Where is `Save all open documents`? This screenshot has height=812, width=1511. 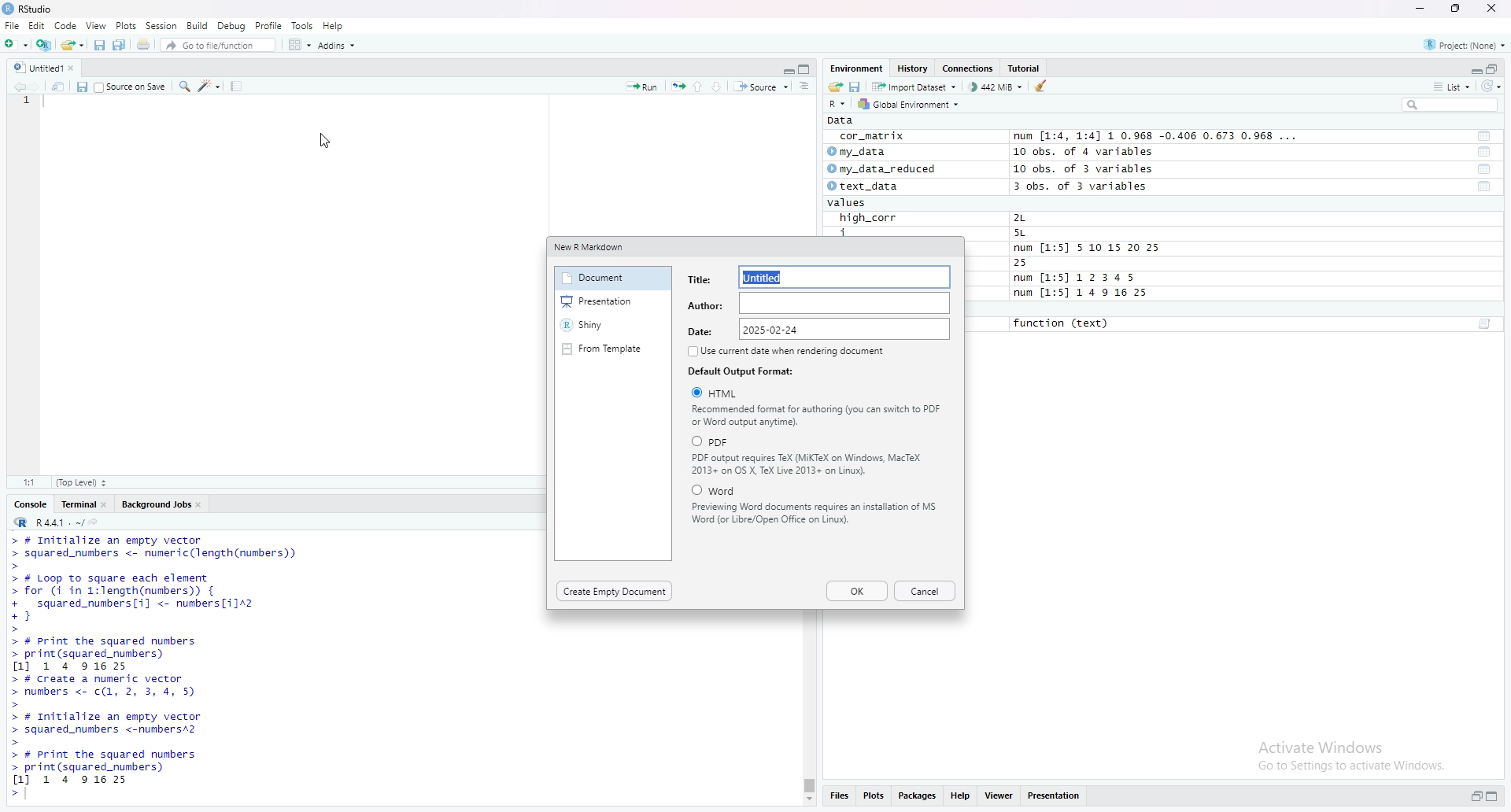
Save all open documents is located at coordinates (120, 44).